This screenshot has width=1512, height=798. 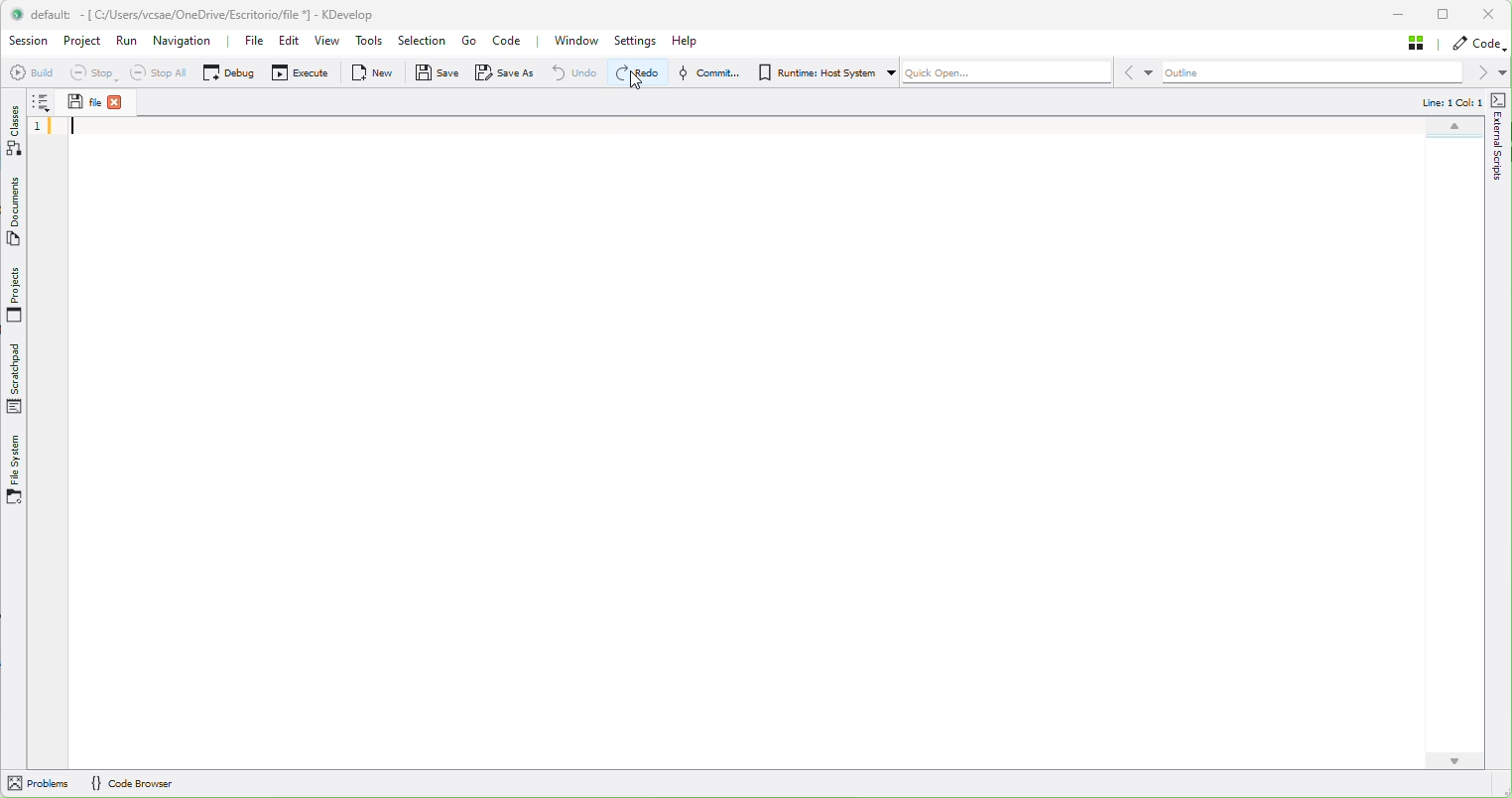 What do you see at coordinates (1413, 46) in the screenshot?
I see `Stash` at bounding box center [1413, 46].